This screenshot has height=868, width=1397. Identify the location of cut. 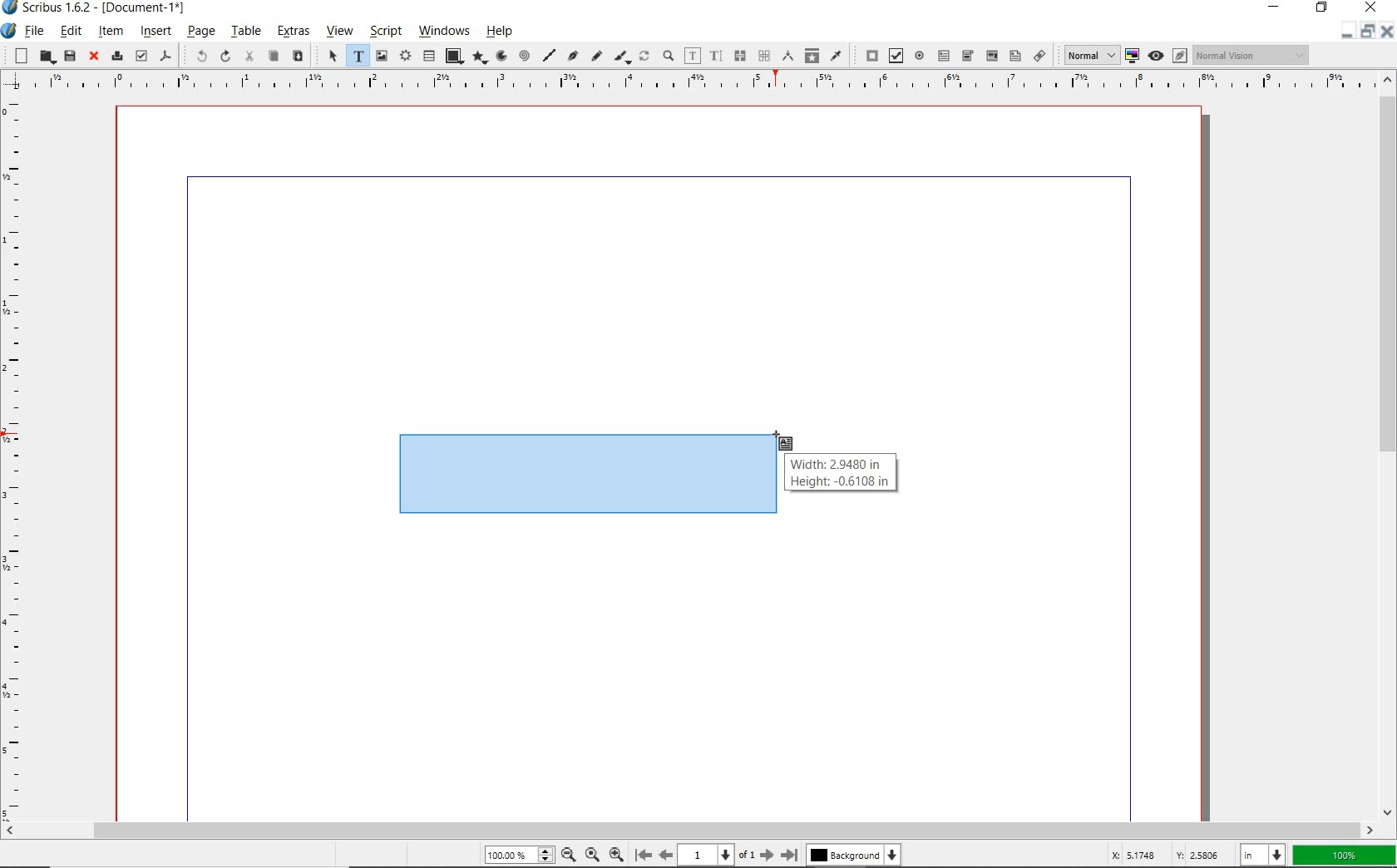
(249, 57).